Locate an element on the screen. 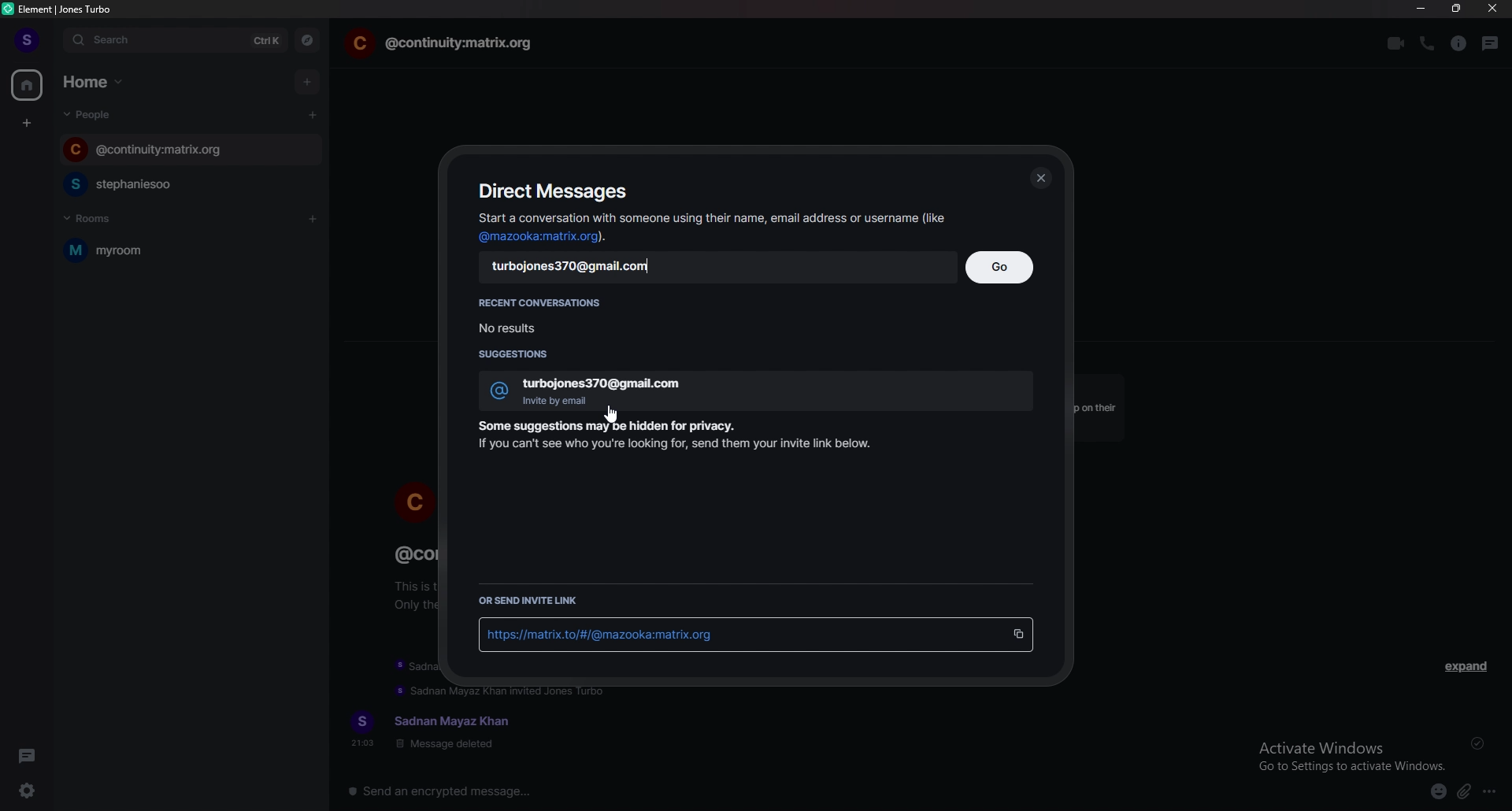 The height and width of the screenshot is (811, 1512). search is located at coordinates (177, 41).